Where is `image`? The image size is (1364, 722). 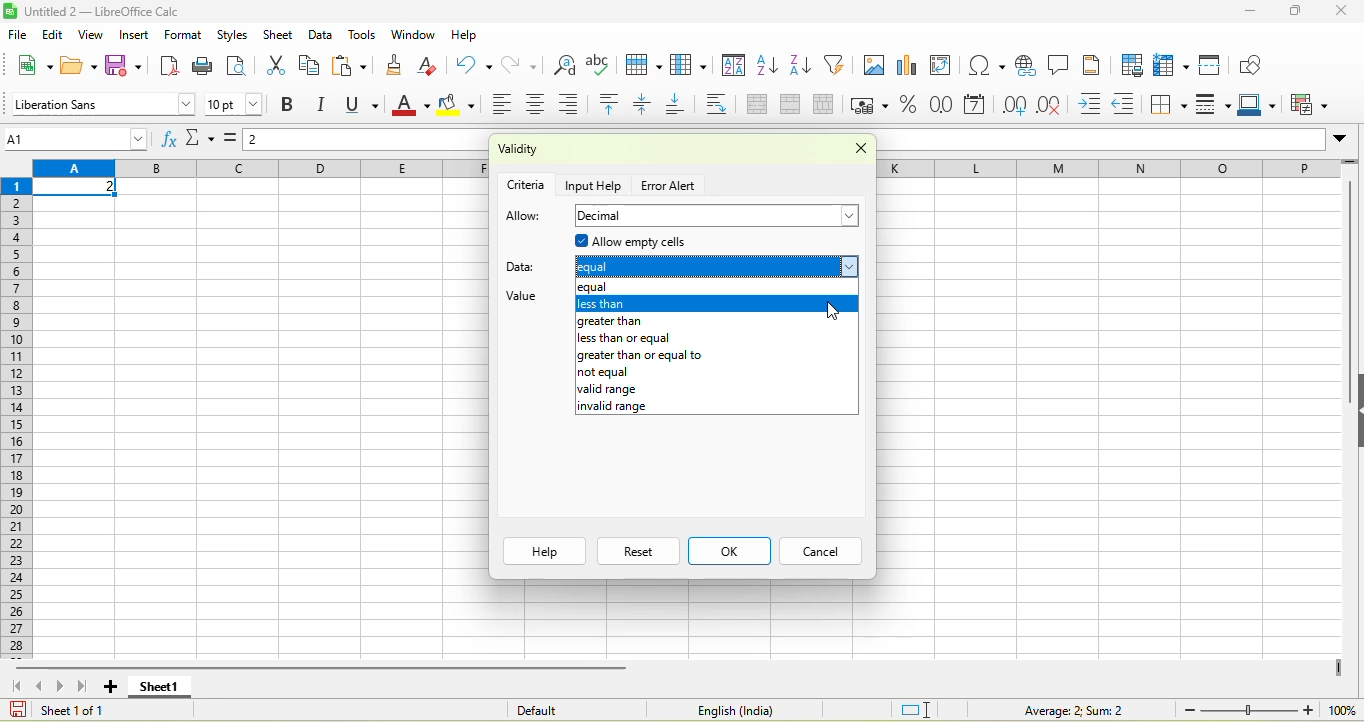 image is located at coordinates (873, 67).